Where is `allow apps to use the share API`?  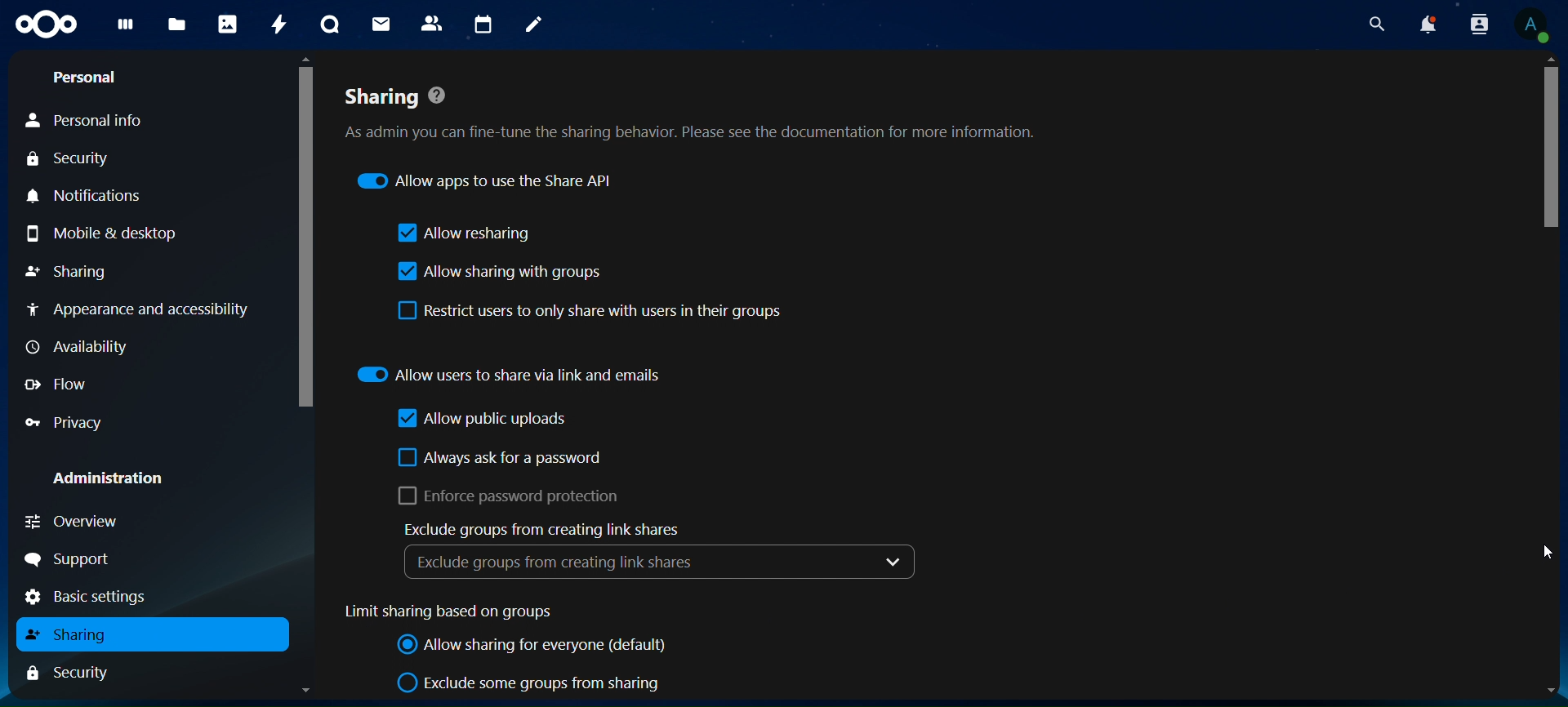
allow apps to use the share API is located at coordinates (485, 179).